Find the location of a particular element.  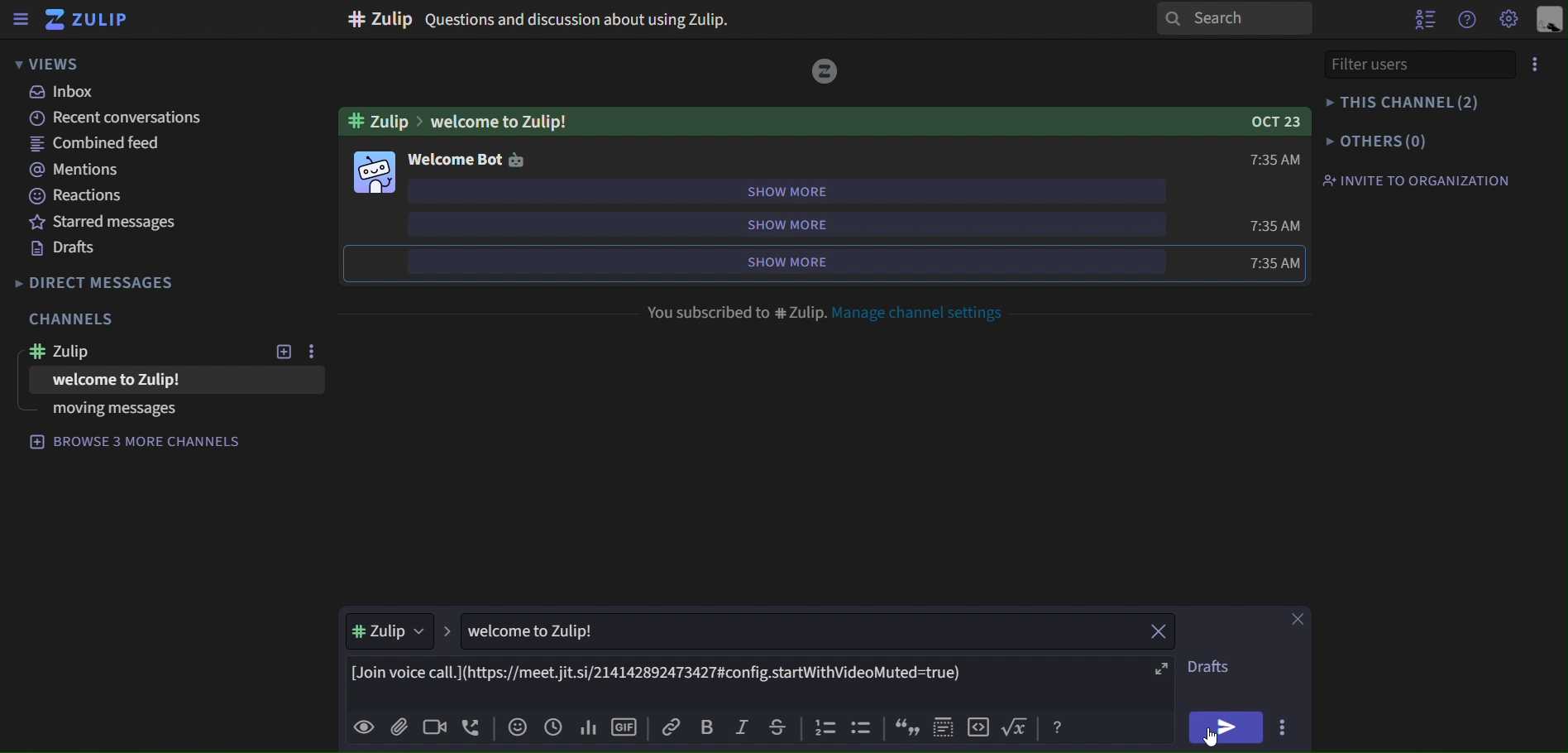

add gif is located at coordinates (624, 727).